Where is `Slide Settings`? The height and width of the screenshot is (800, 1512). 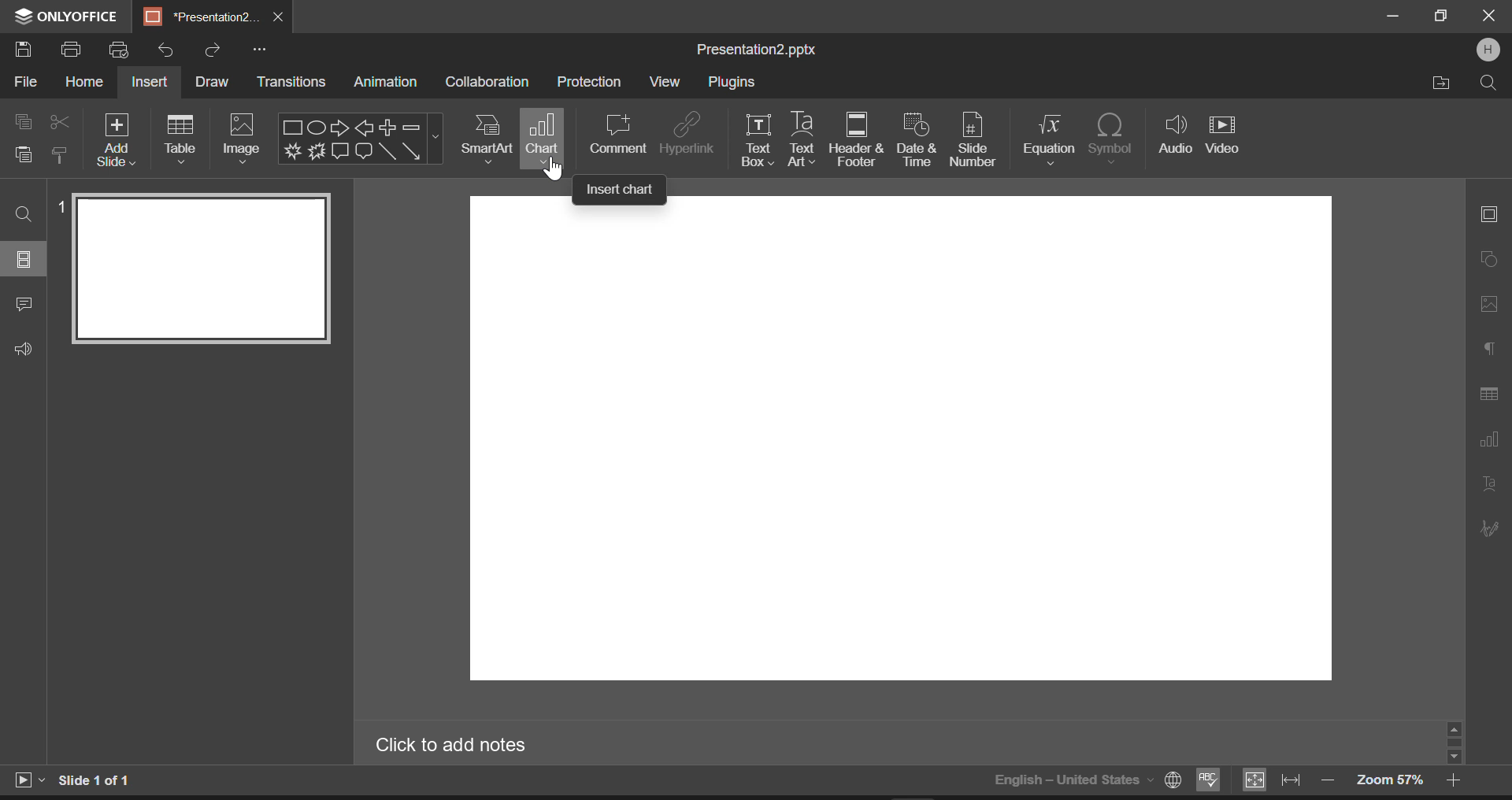 Slide Settings is located at coordinates (1487, 213).